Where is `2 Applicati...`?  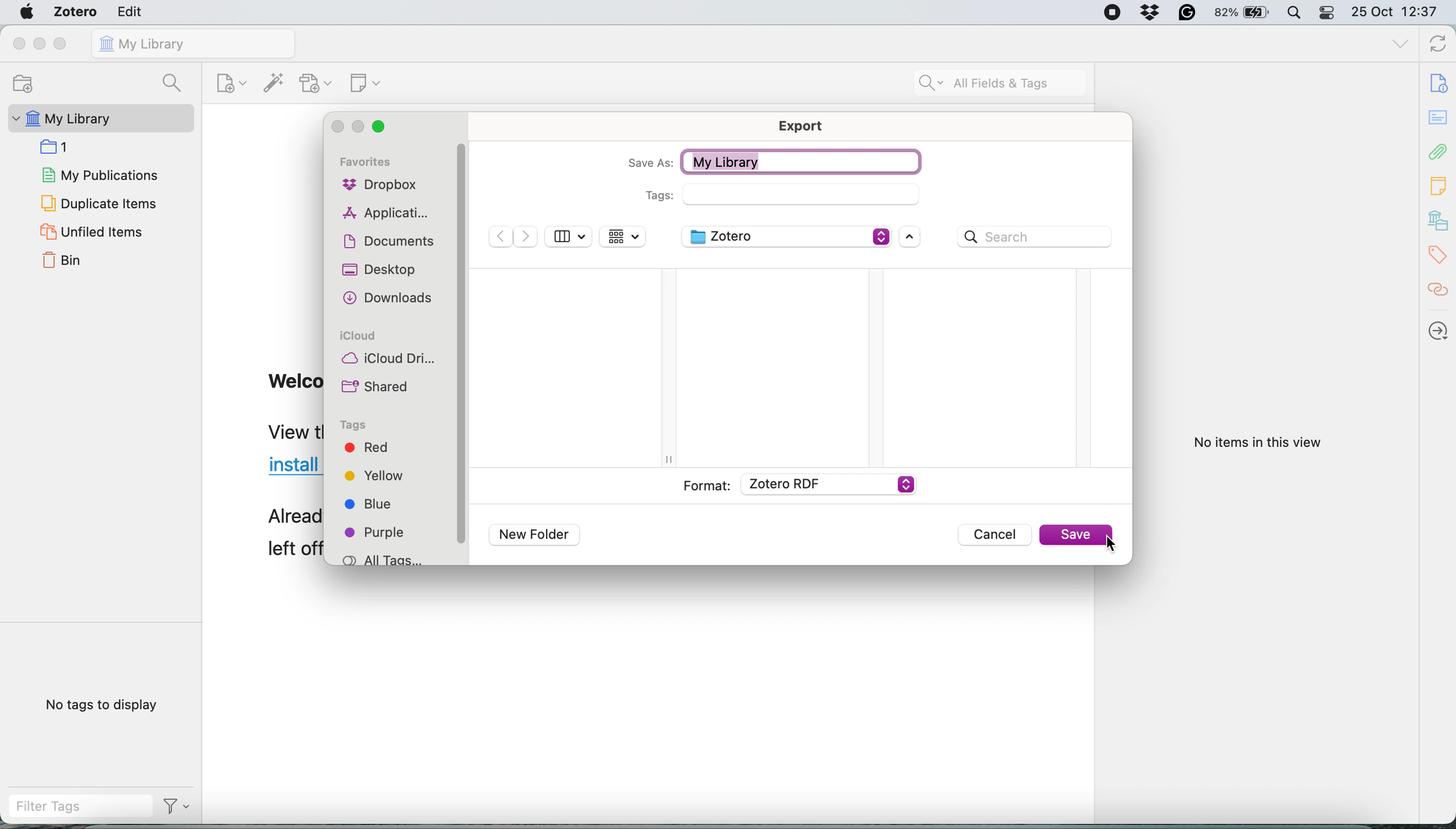 2 Applicati... is located at coordinates (387, 211).